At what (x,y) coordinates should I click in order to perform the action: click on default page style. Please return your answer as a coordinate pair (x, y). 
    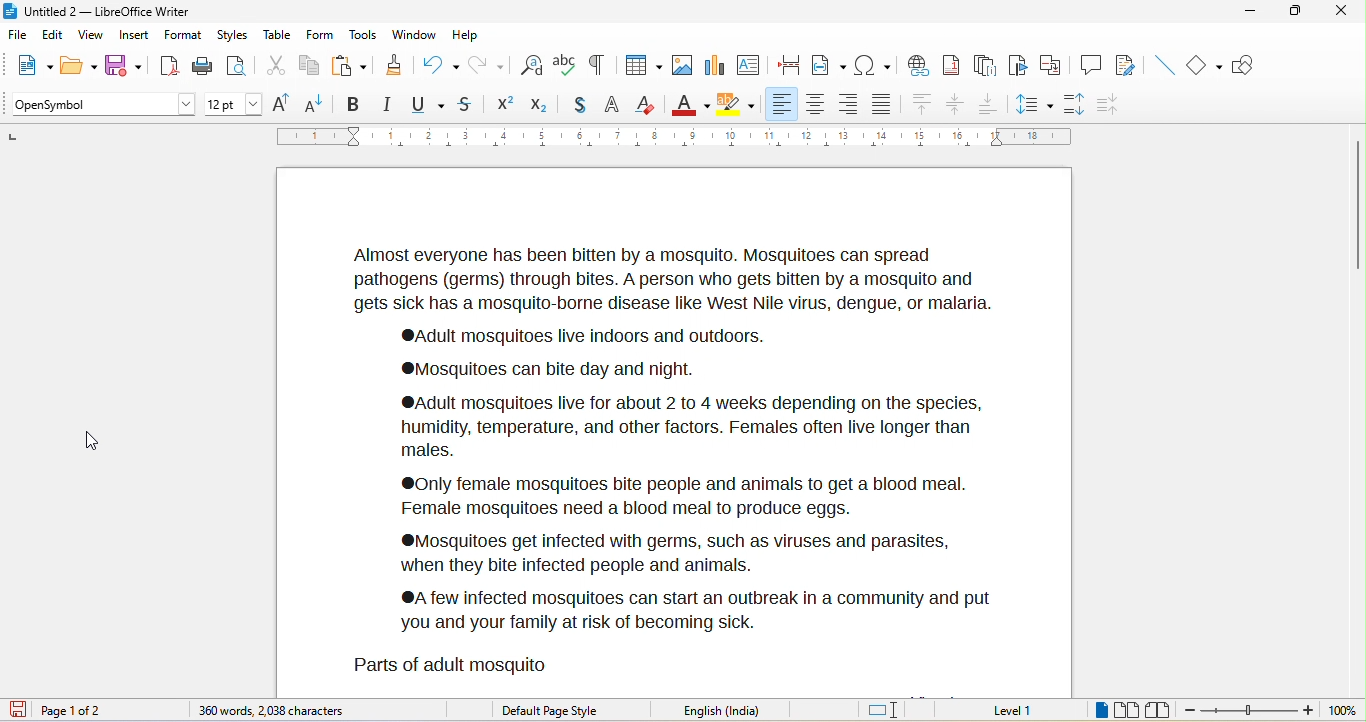
    Looking at the image, I should click on (553, 708).